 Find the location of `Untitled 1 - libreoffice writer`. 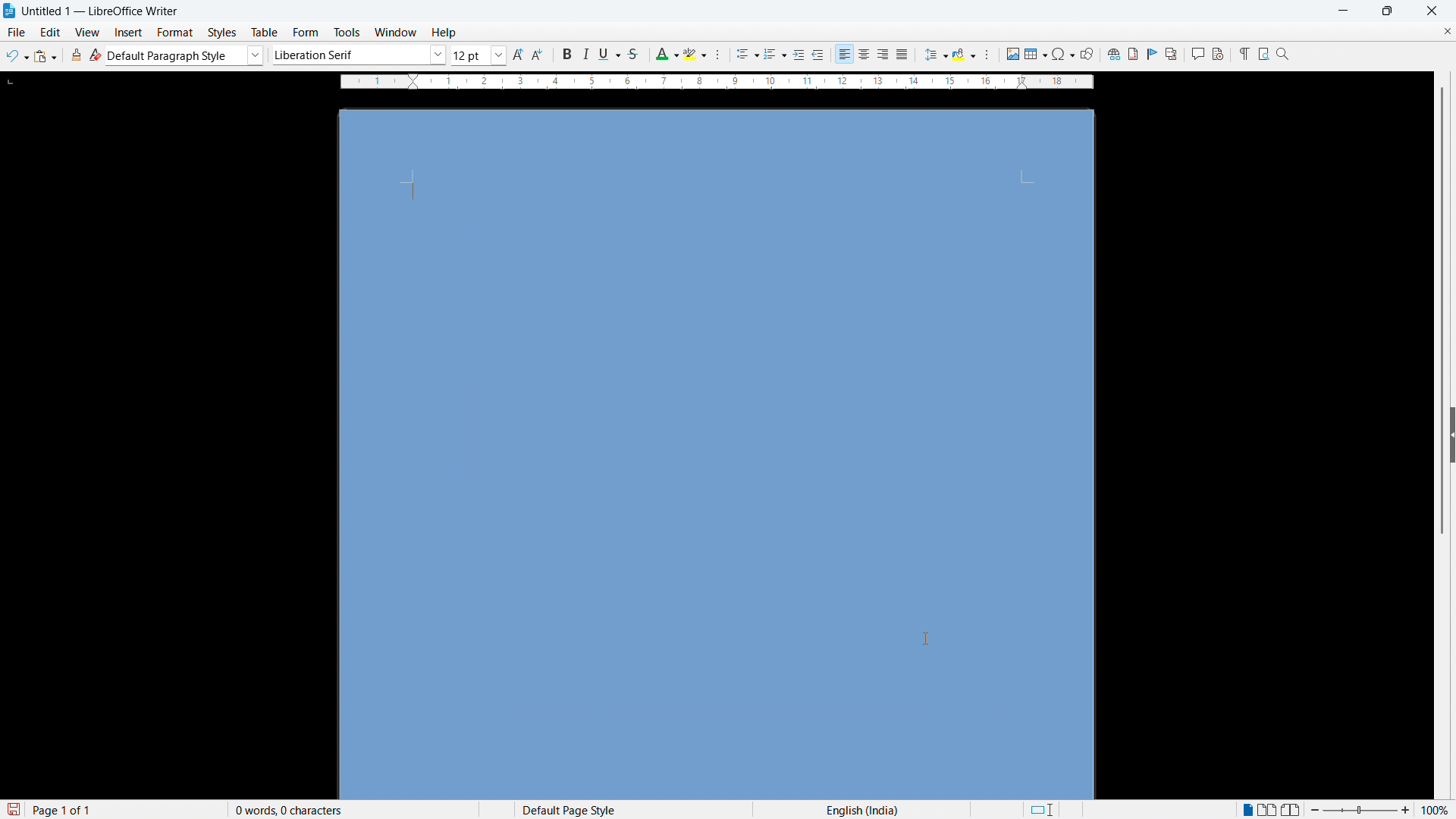

Untitled 1 - libreoffice writer is located at coordinates (100, 12).